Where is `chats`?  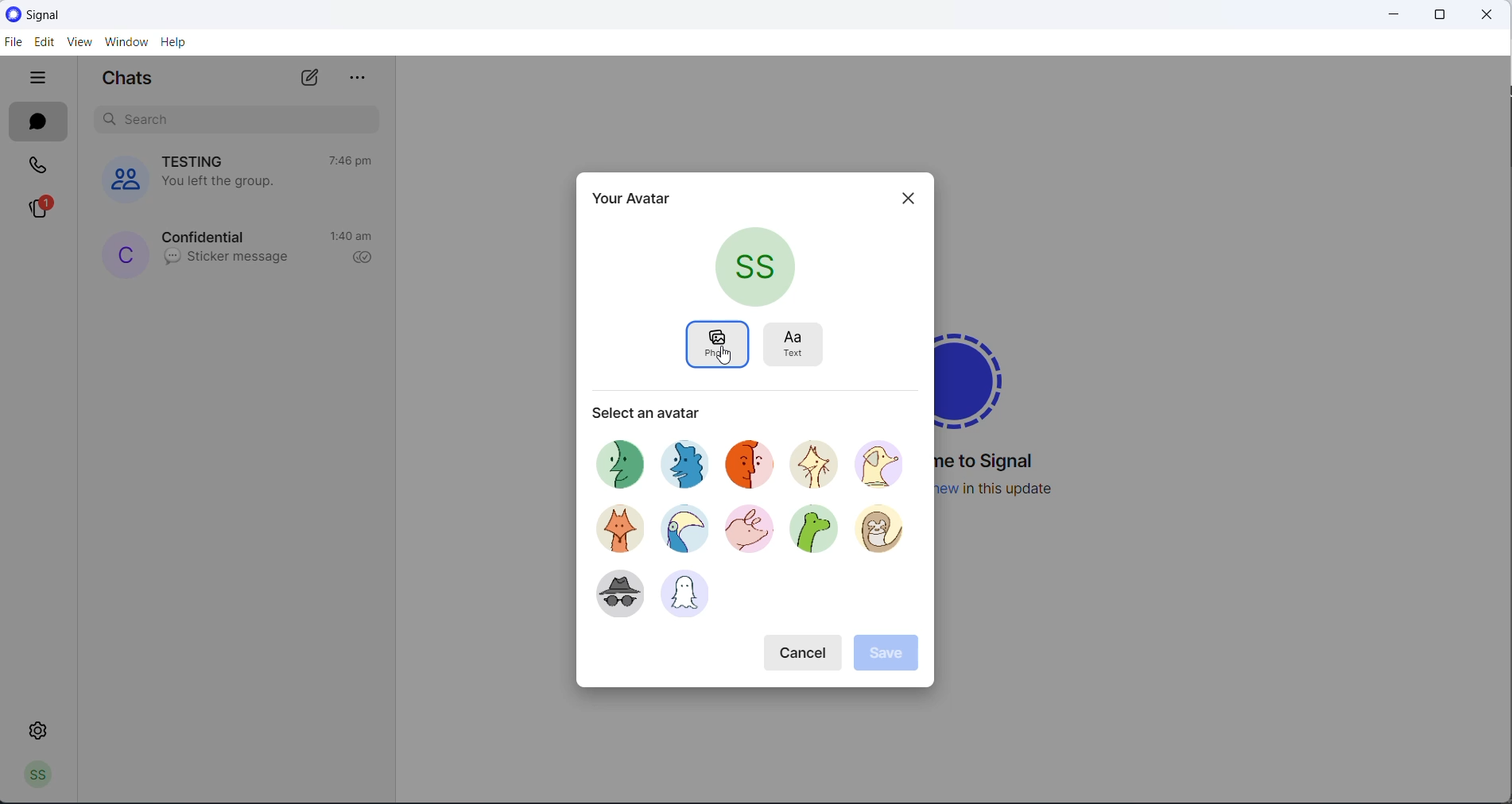
chats is located at coordinates (41, 124).